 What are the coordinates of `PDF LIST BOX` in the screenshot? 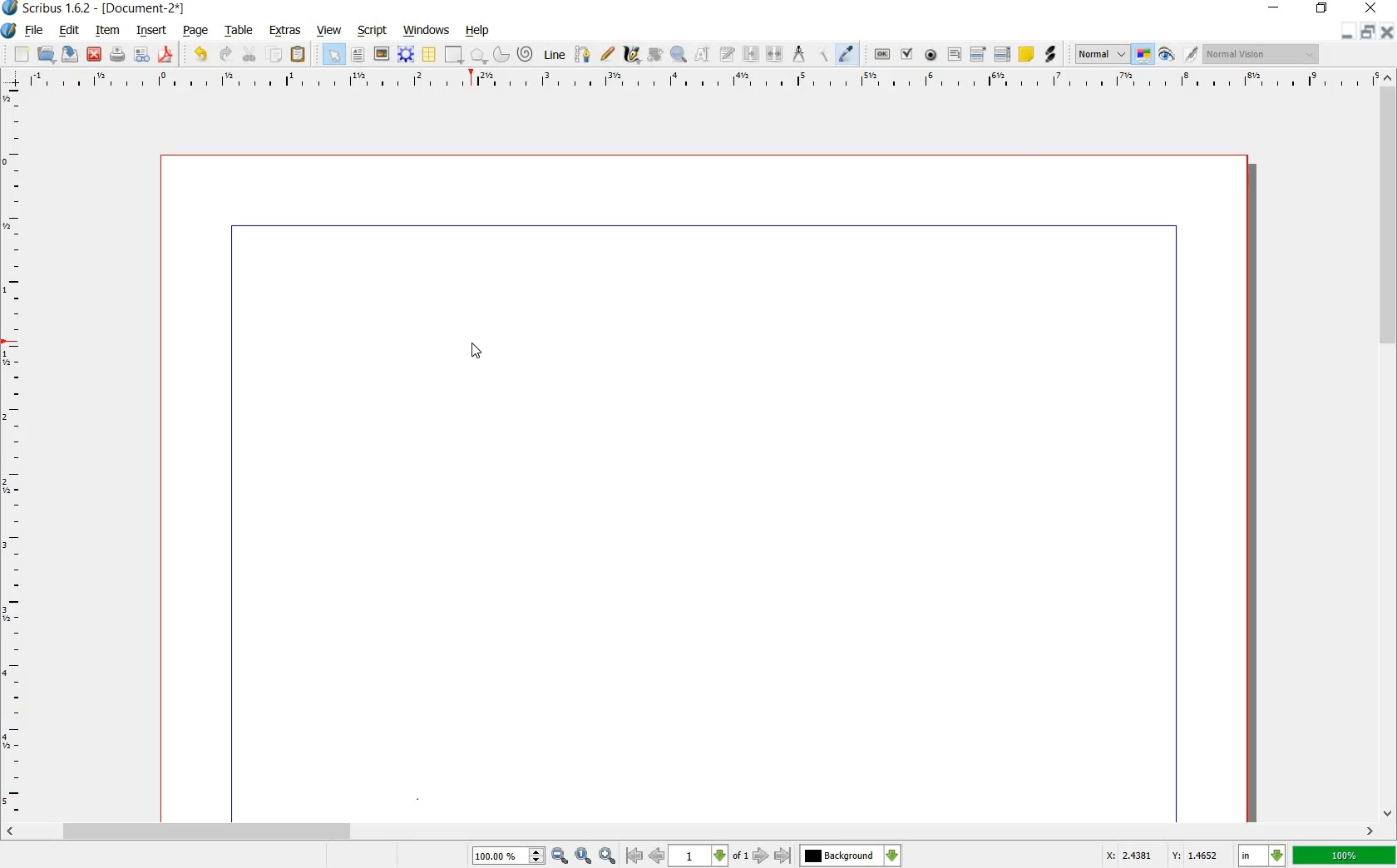 It's located at (1001, 54).